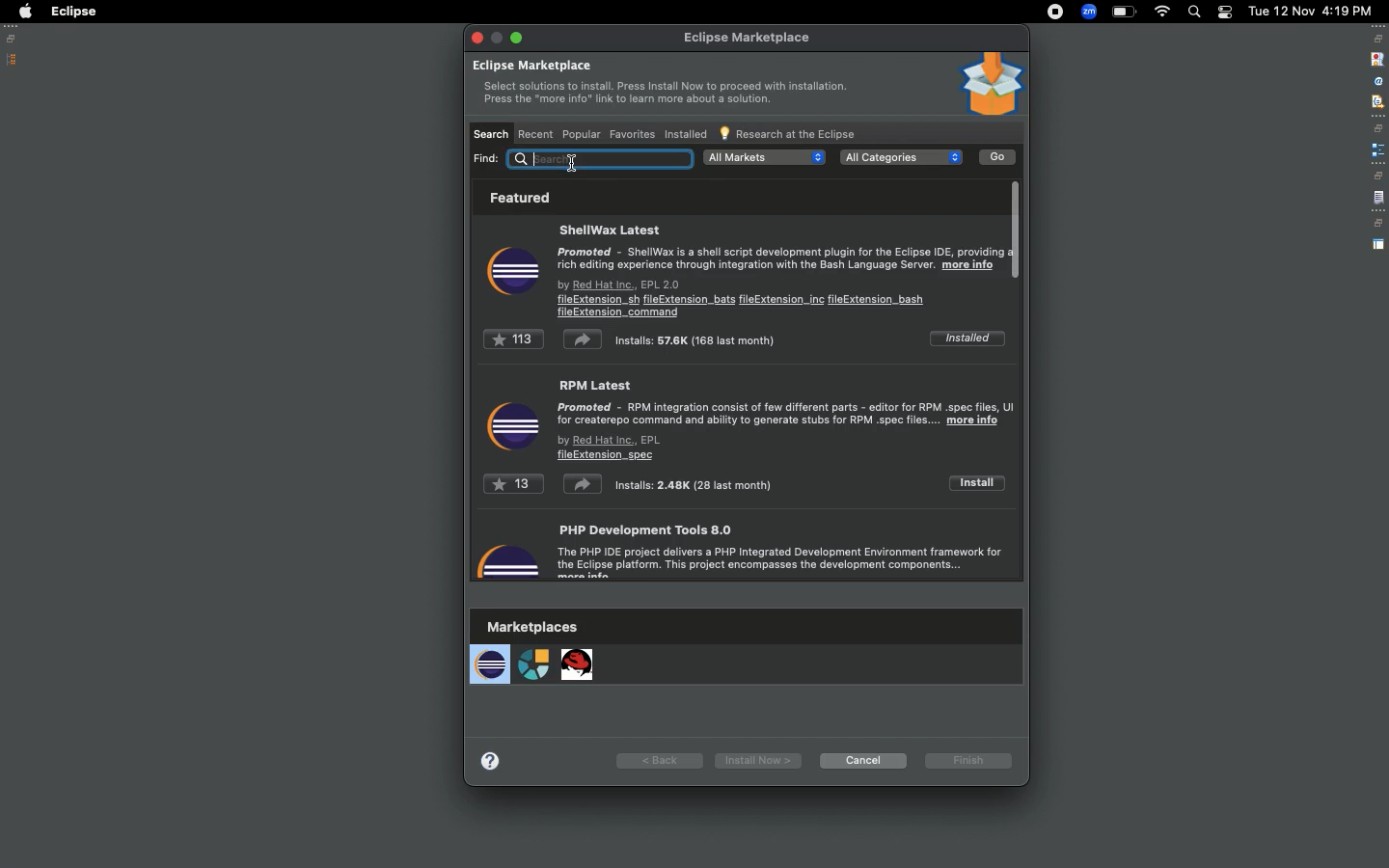 The image size is (1389, 868). What do you see at coordinates (534, 652) in the screenshot?
I see `Marketplaces` at bounding box center [534, 652].